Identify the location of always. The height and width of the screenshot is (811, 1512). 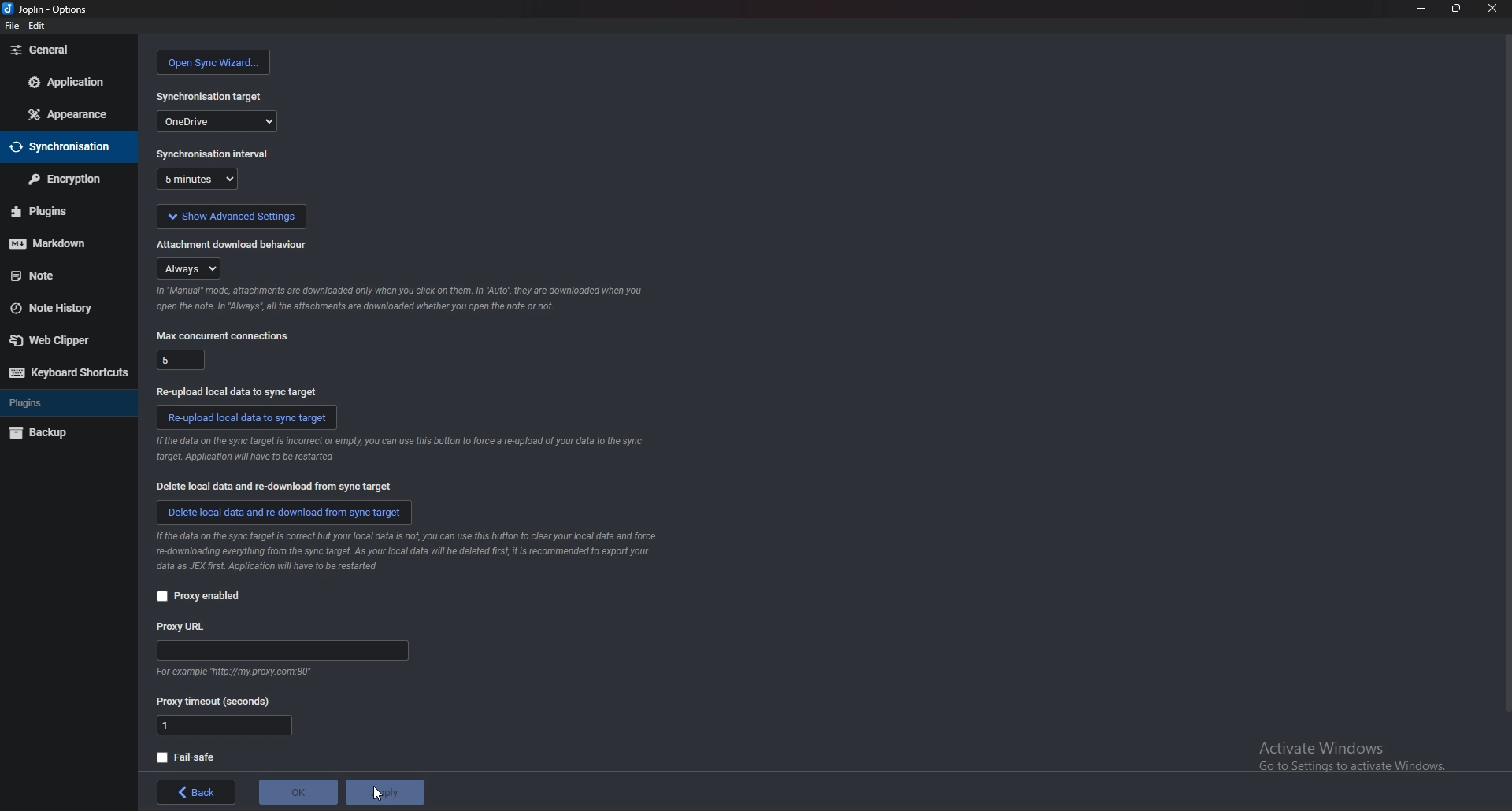
(189, 268).